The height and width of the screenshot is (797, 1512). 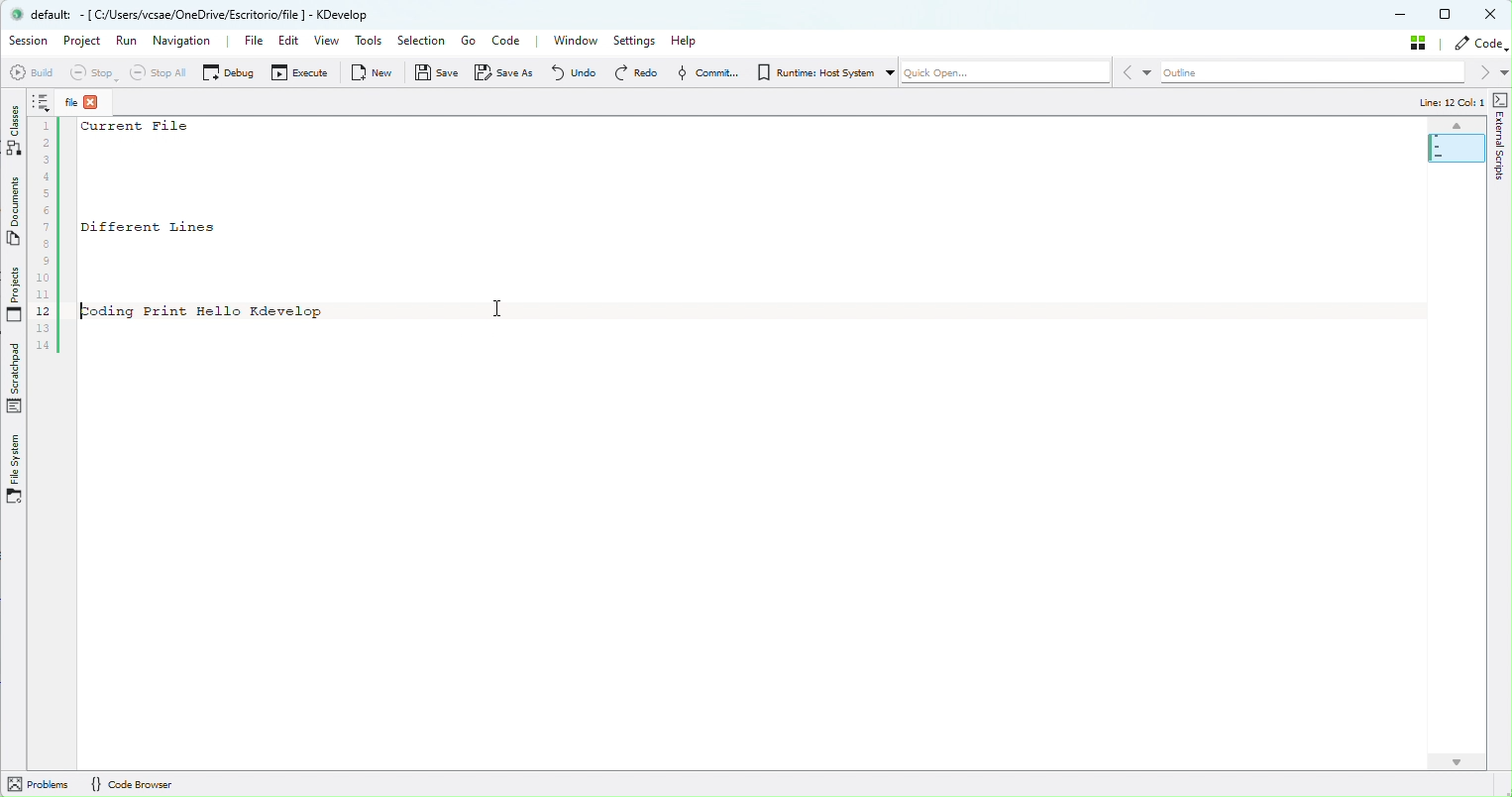 What do you see at coordinates (208, 239) in the screenshot?
I see `1urrent Files234567| Different Lines5s10112| coding Print Hello Kdevelop|1314` at bounding box center [208, 239].